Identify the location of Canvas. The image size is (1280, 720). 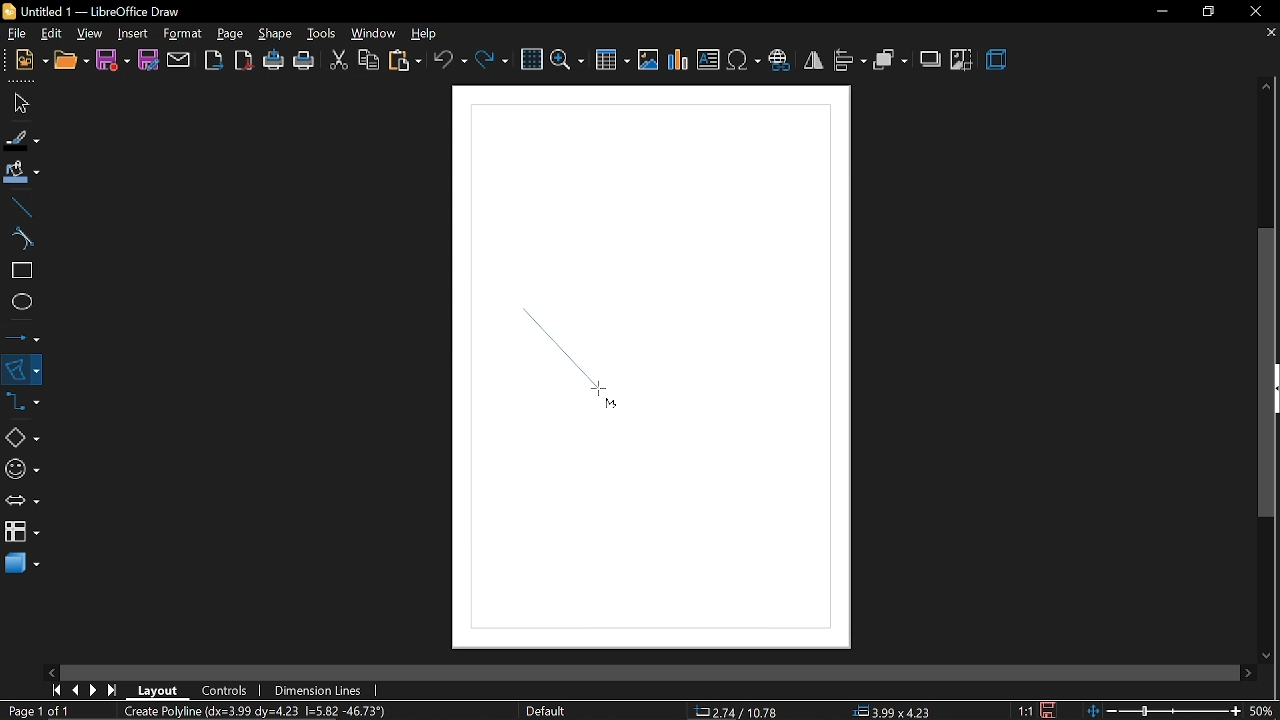
(648, 368).